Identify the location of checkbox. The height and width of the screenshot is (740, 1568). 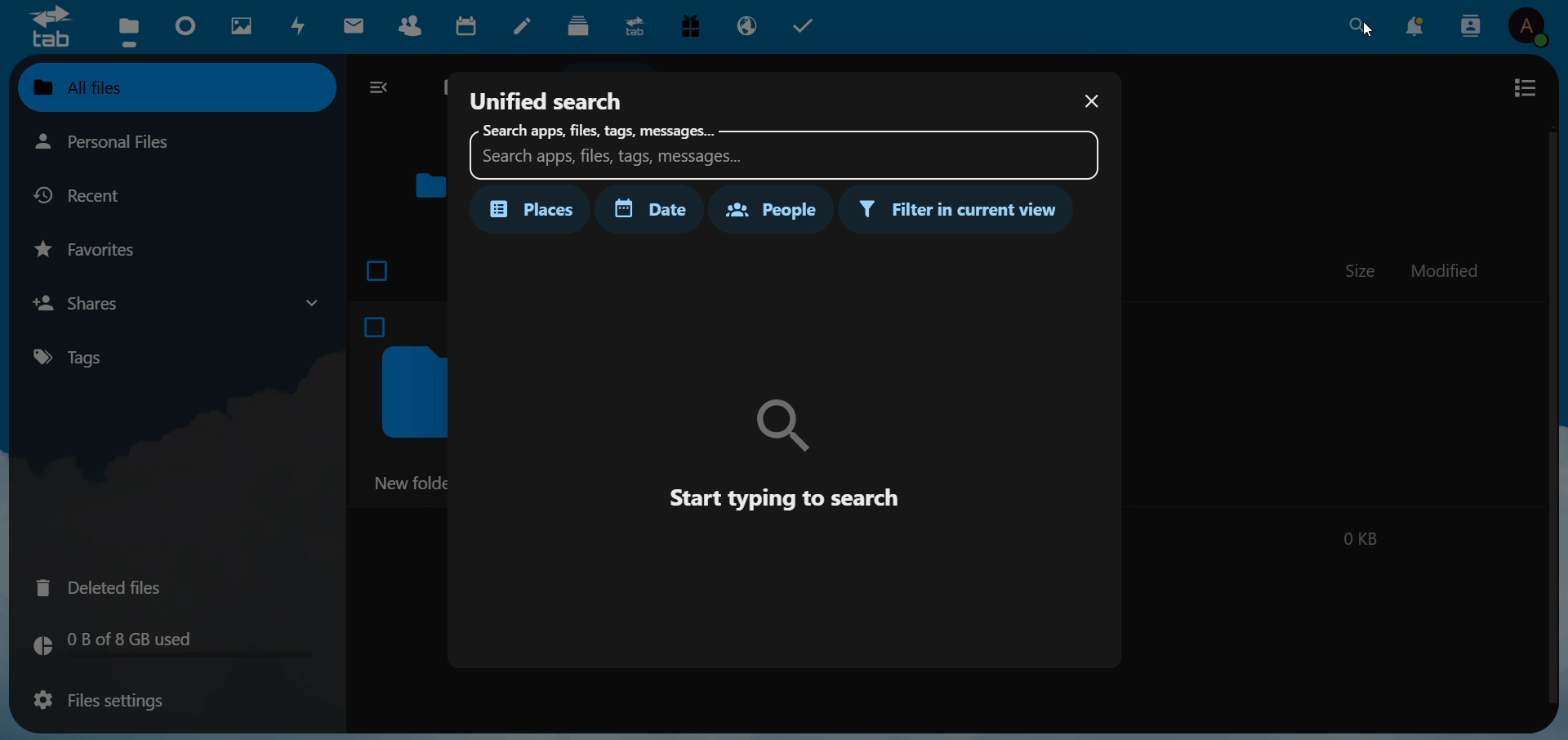
(379, 267).